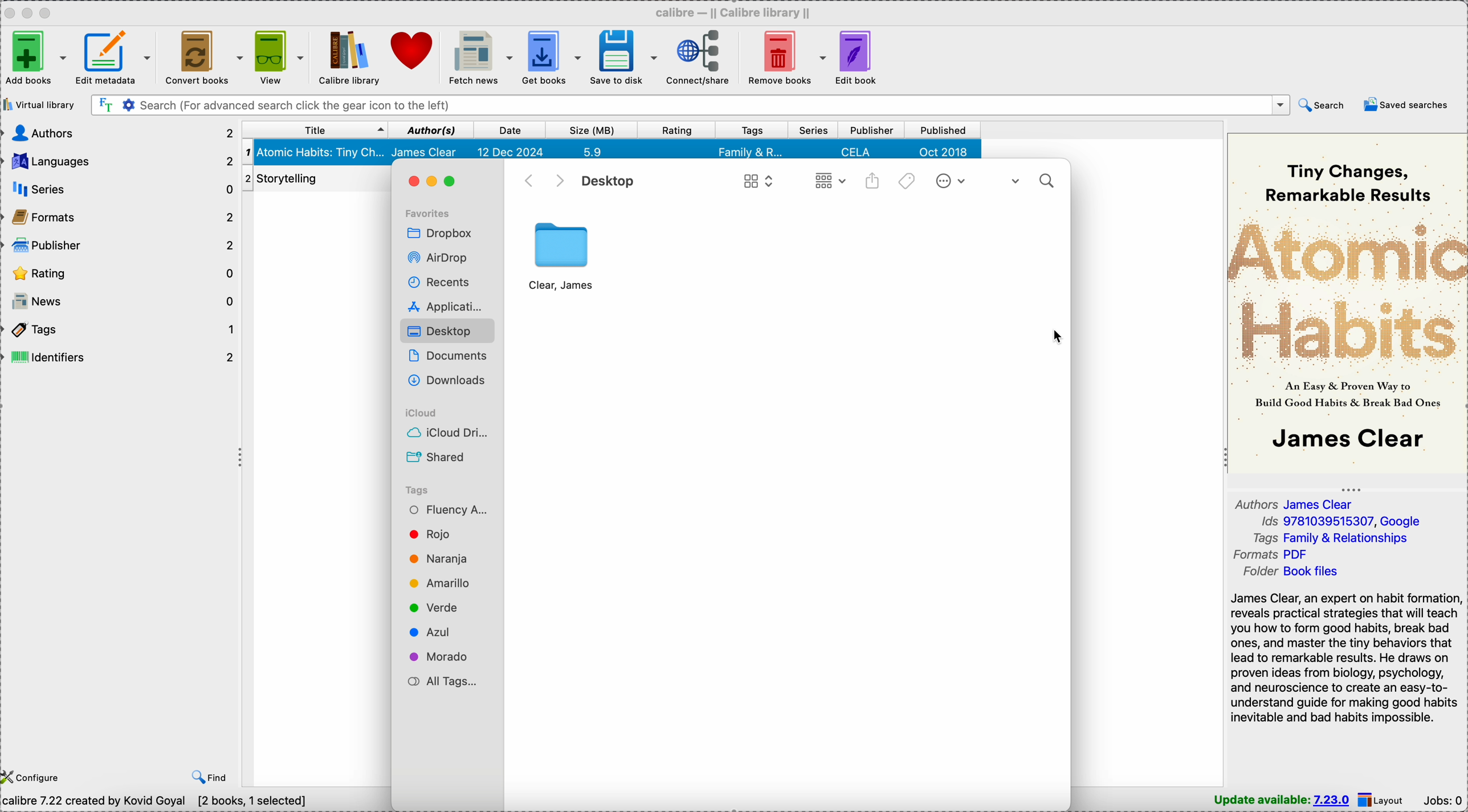  I want to click on remove books, so click(784, 56).